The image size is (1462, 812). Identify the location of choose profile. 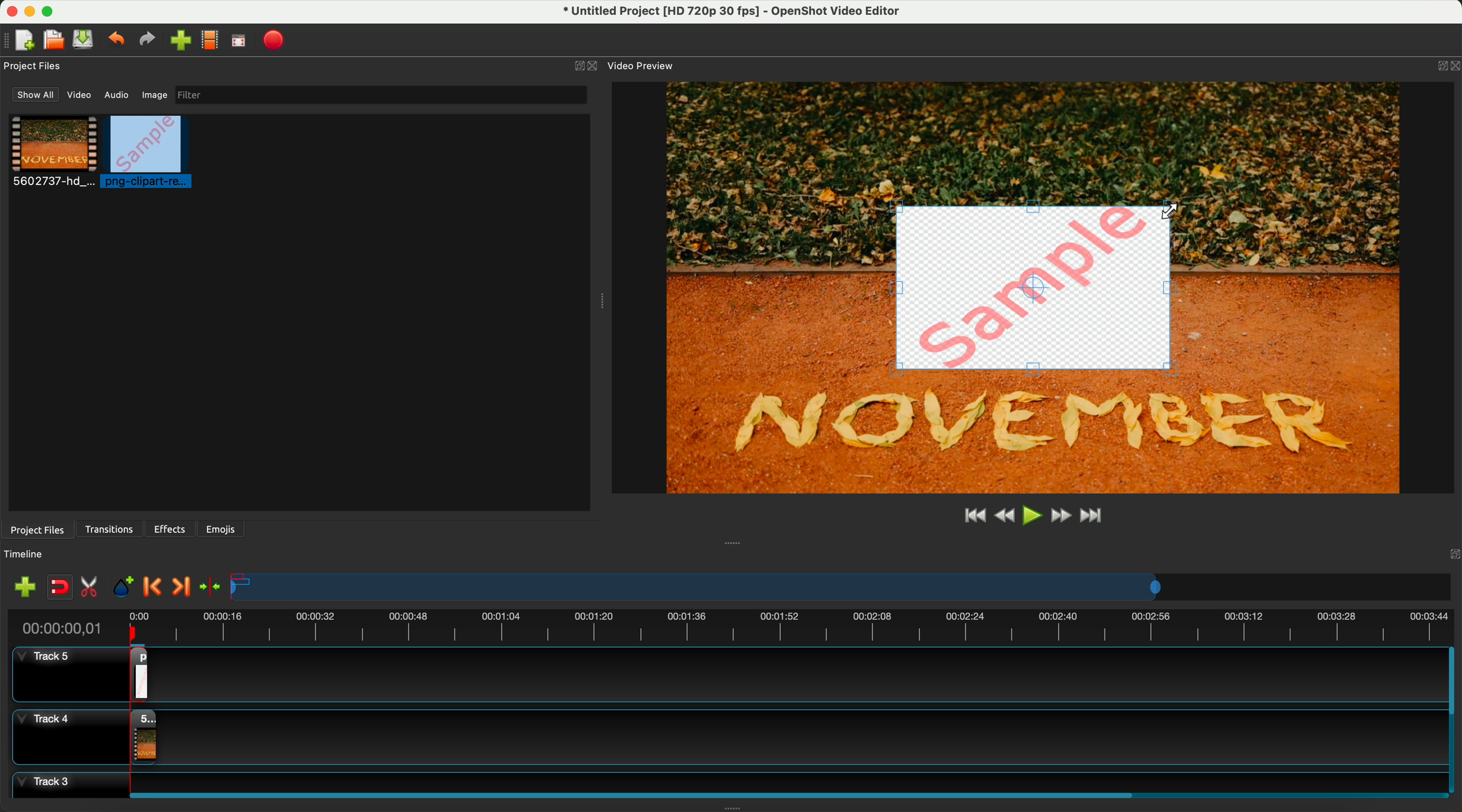
(213, 42).